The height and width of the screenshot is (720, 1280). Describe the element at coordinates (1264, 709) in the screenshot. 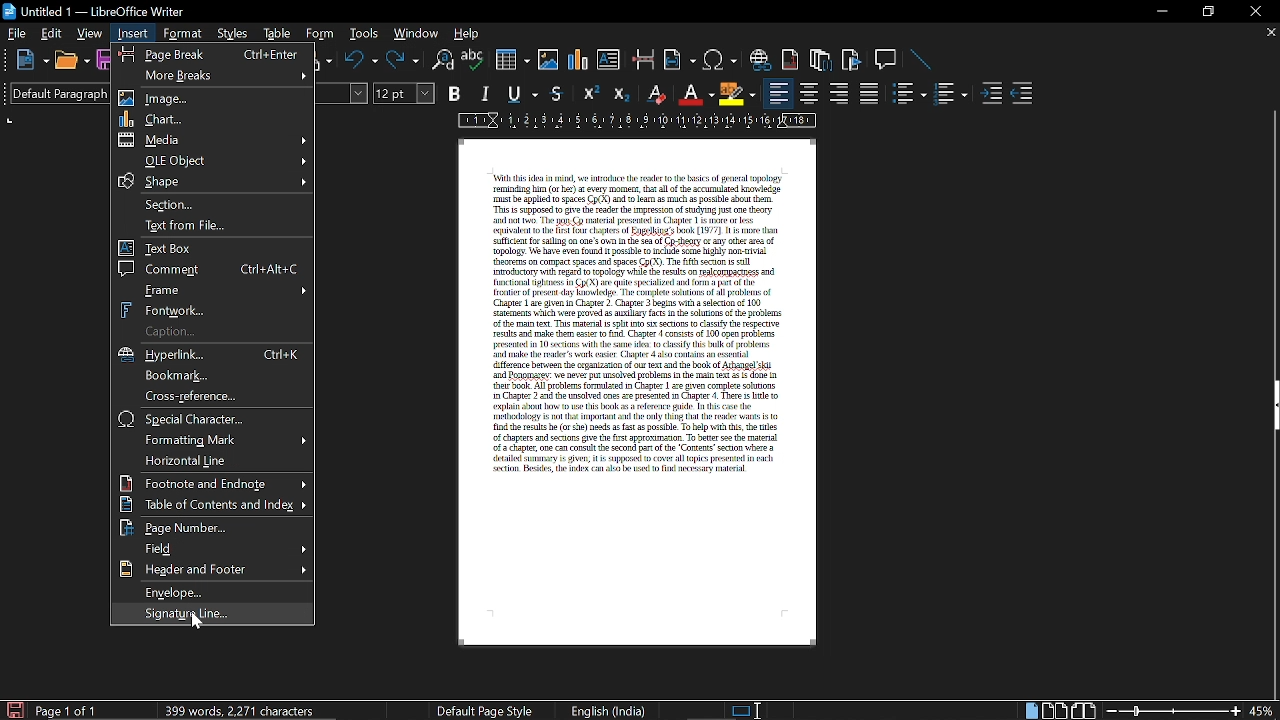

I see `current zoom` at that location.